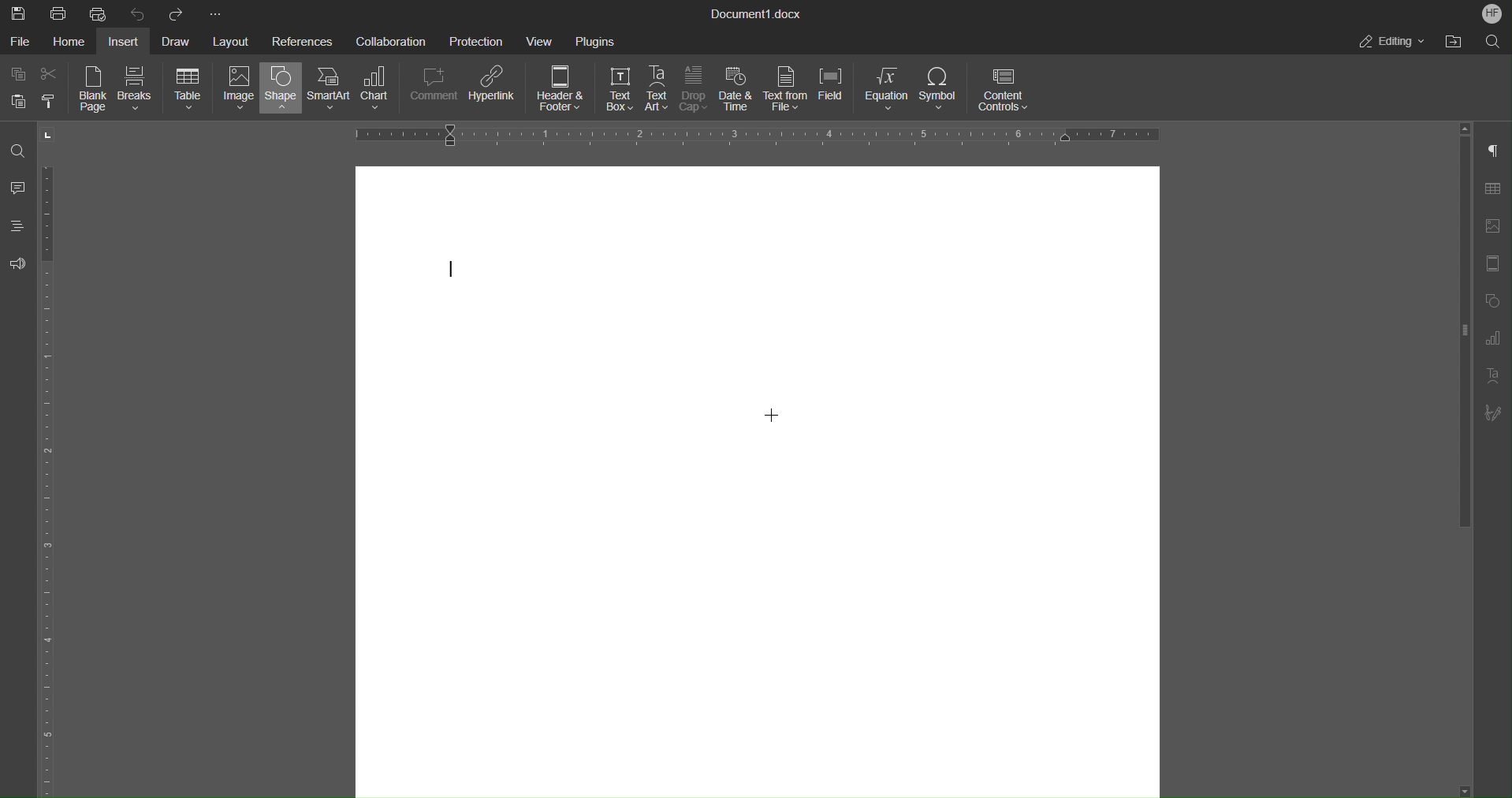  What do you see at coordinates (16, 12) in the screenshot?
I see `Save` at bounding box center [16, 12].